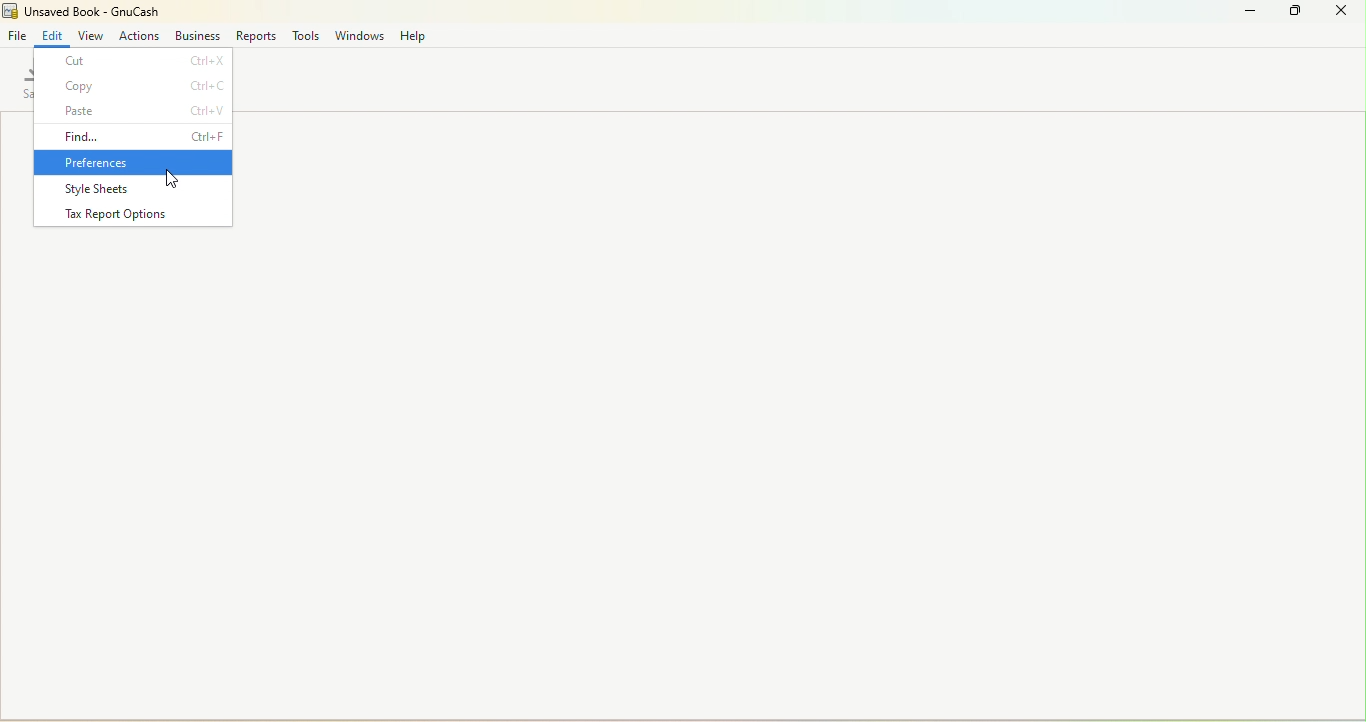 This screenshot has width=1366, height=722. Describe the element at coordinates (133, 111) in the screenshot. I see `Paste` at that location.